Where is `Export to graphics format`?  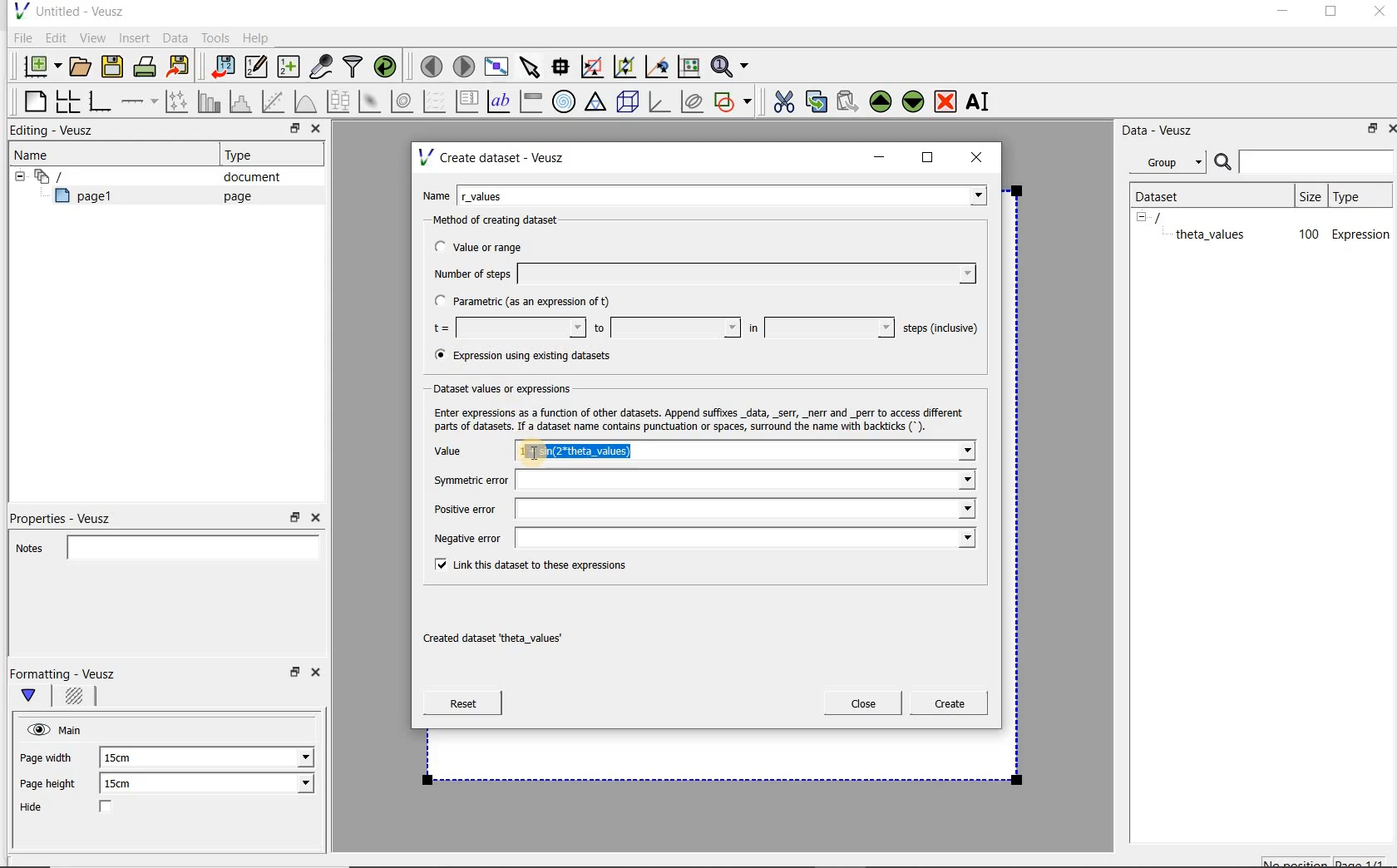
Export to graphics format is located at coordinates (179, 68).